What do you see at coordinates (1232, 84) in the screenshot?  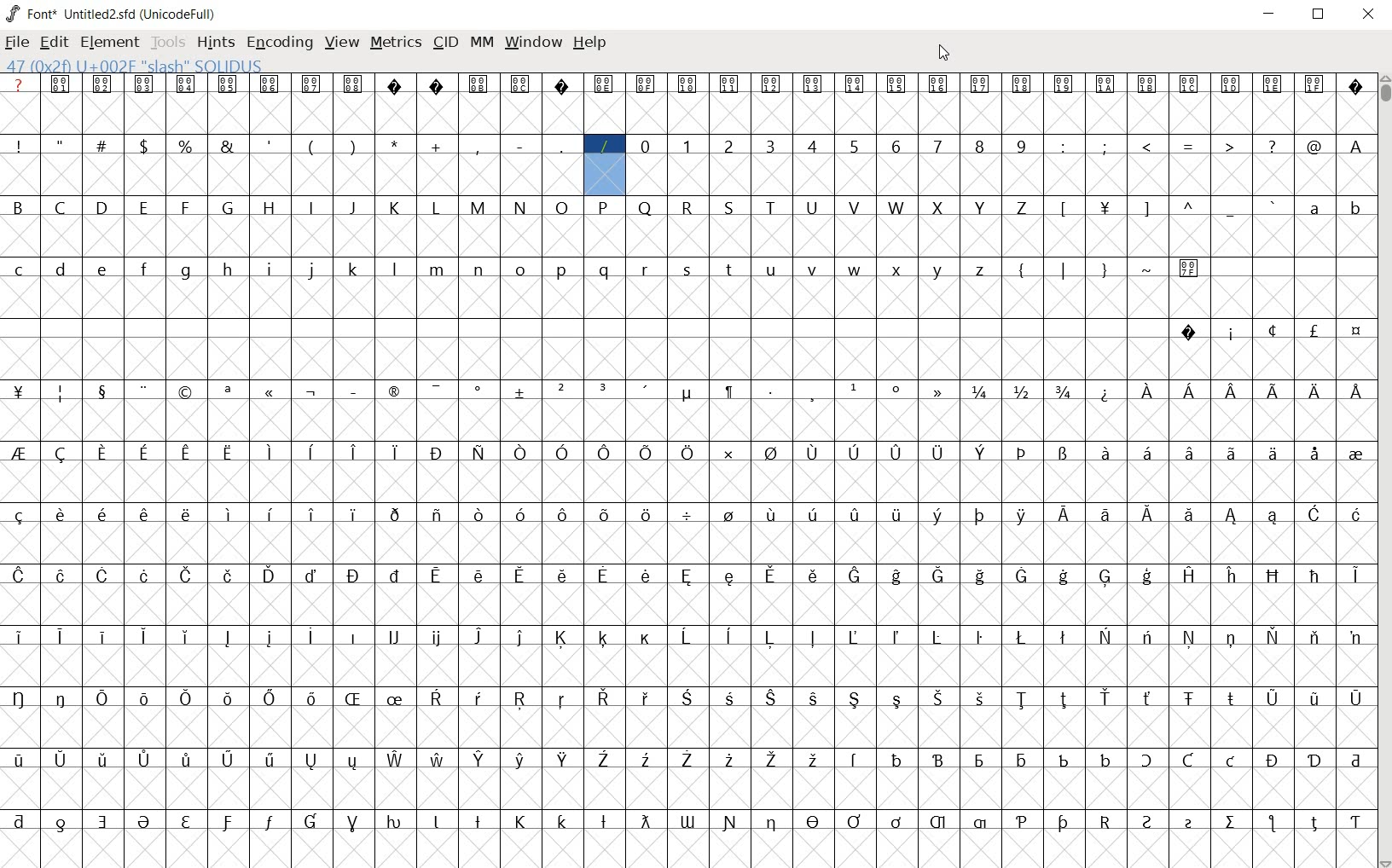 I see `glyph` at bounding box center [1232, 84].